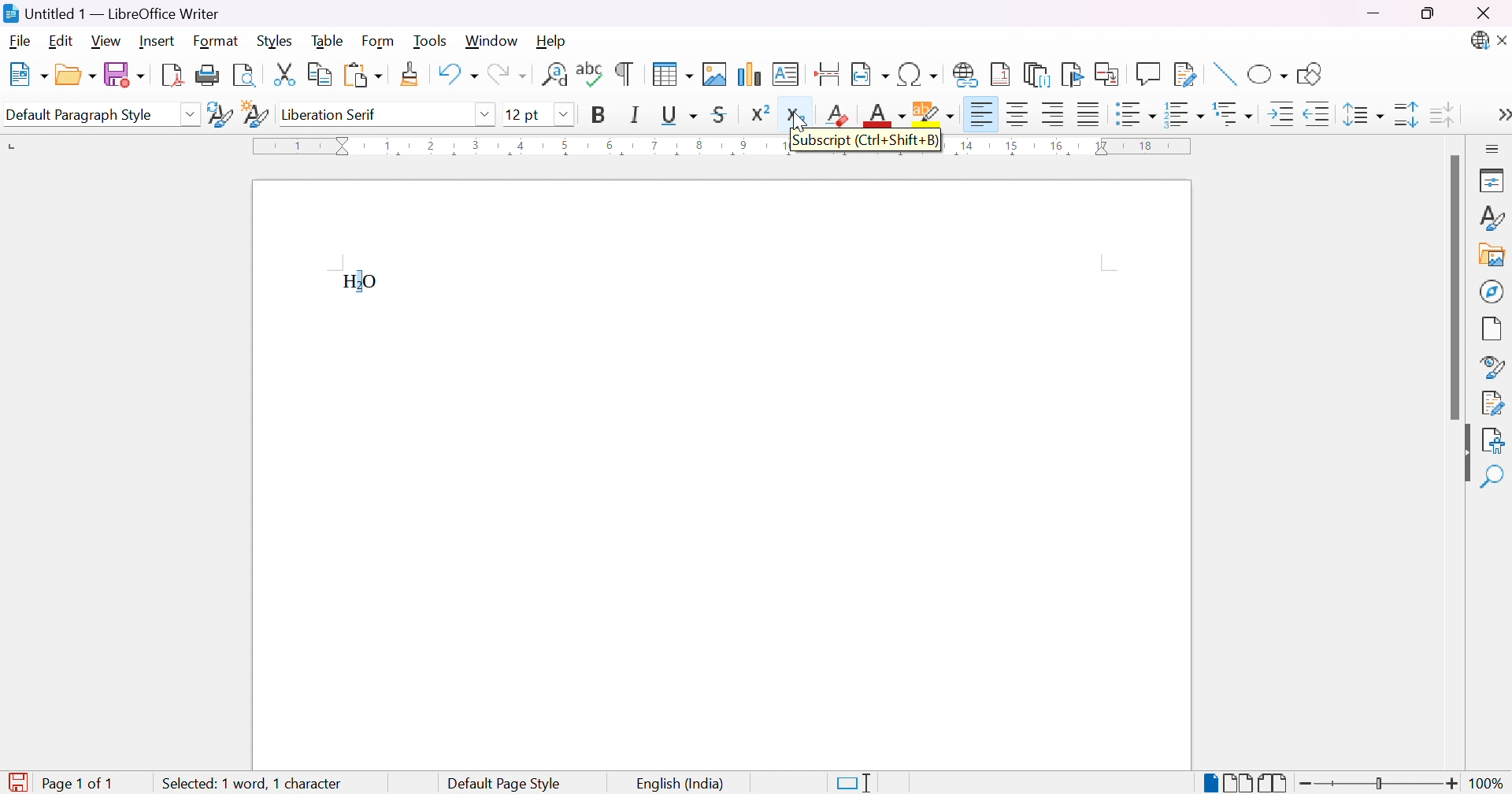  I want to click on Close, so click(1483, 14).